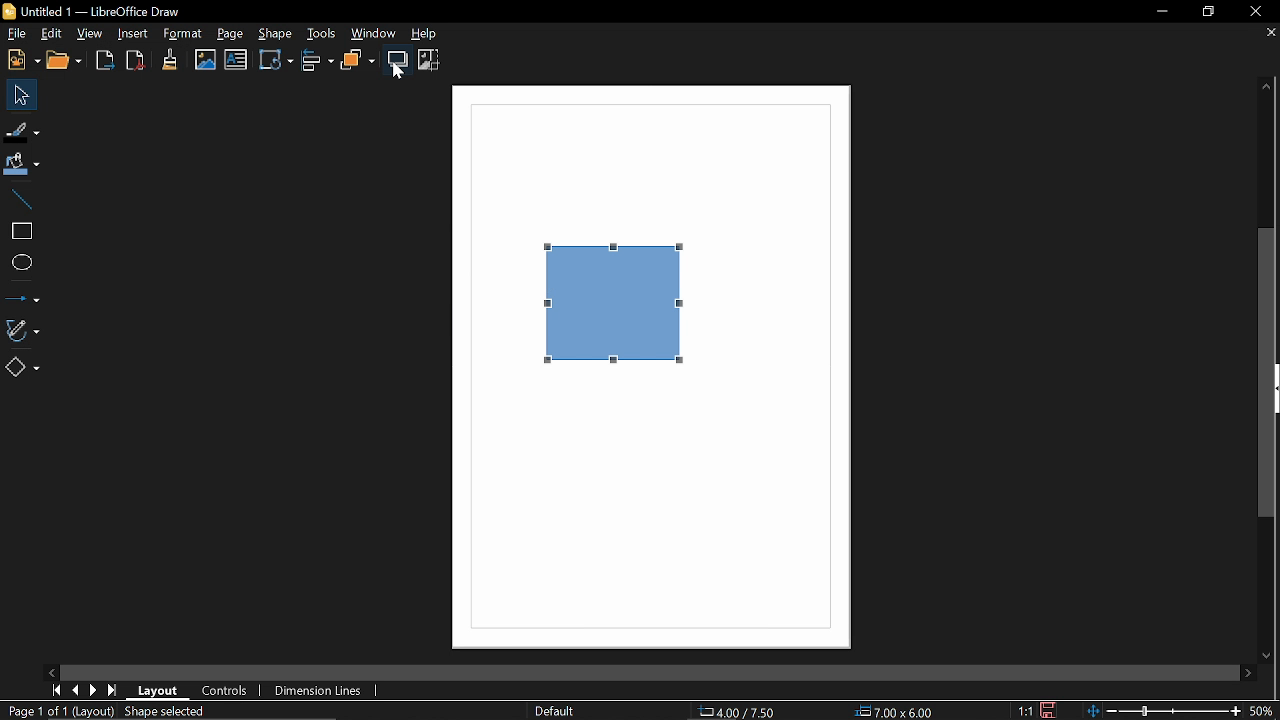  Describe the element at coordinates (25, 161) in the screenshot. I see `Fill color` at that location.